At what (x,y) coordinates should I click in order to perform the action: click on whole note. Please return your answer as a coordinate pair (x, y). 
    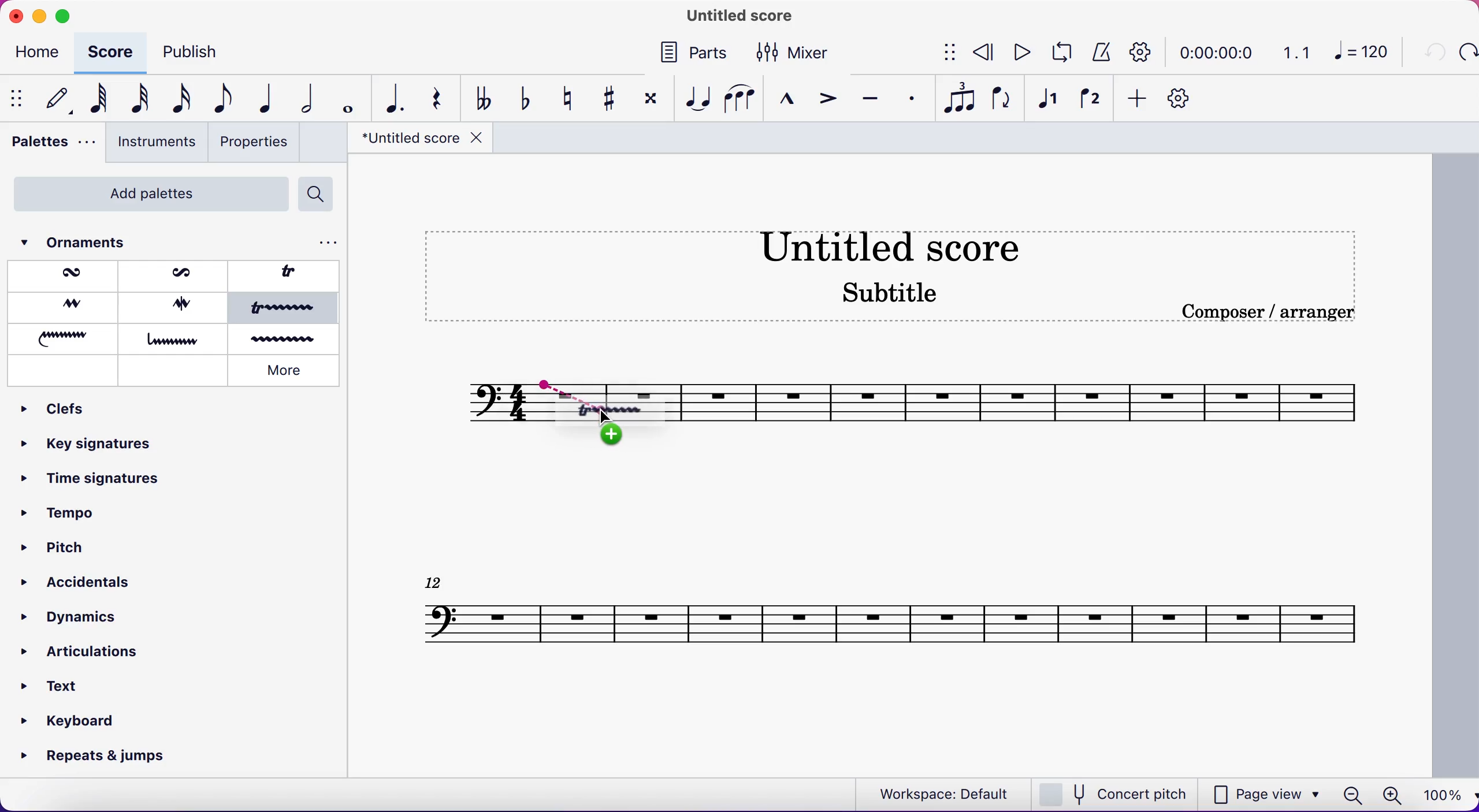
    Looking at the image, I should click on (345, 99).